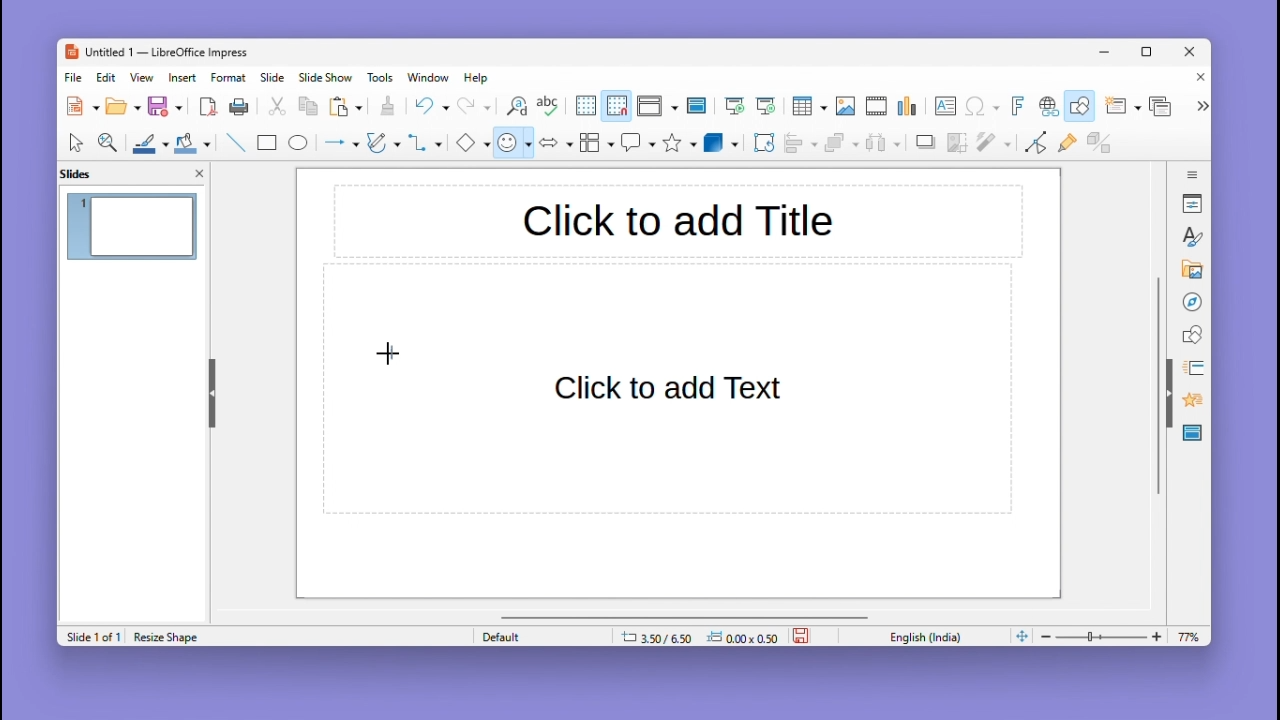  I want to click on Chart, so click(909, 107).